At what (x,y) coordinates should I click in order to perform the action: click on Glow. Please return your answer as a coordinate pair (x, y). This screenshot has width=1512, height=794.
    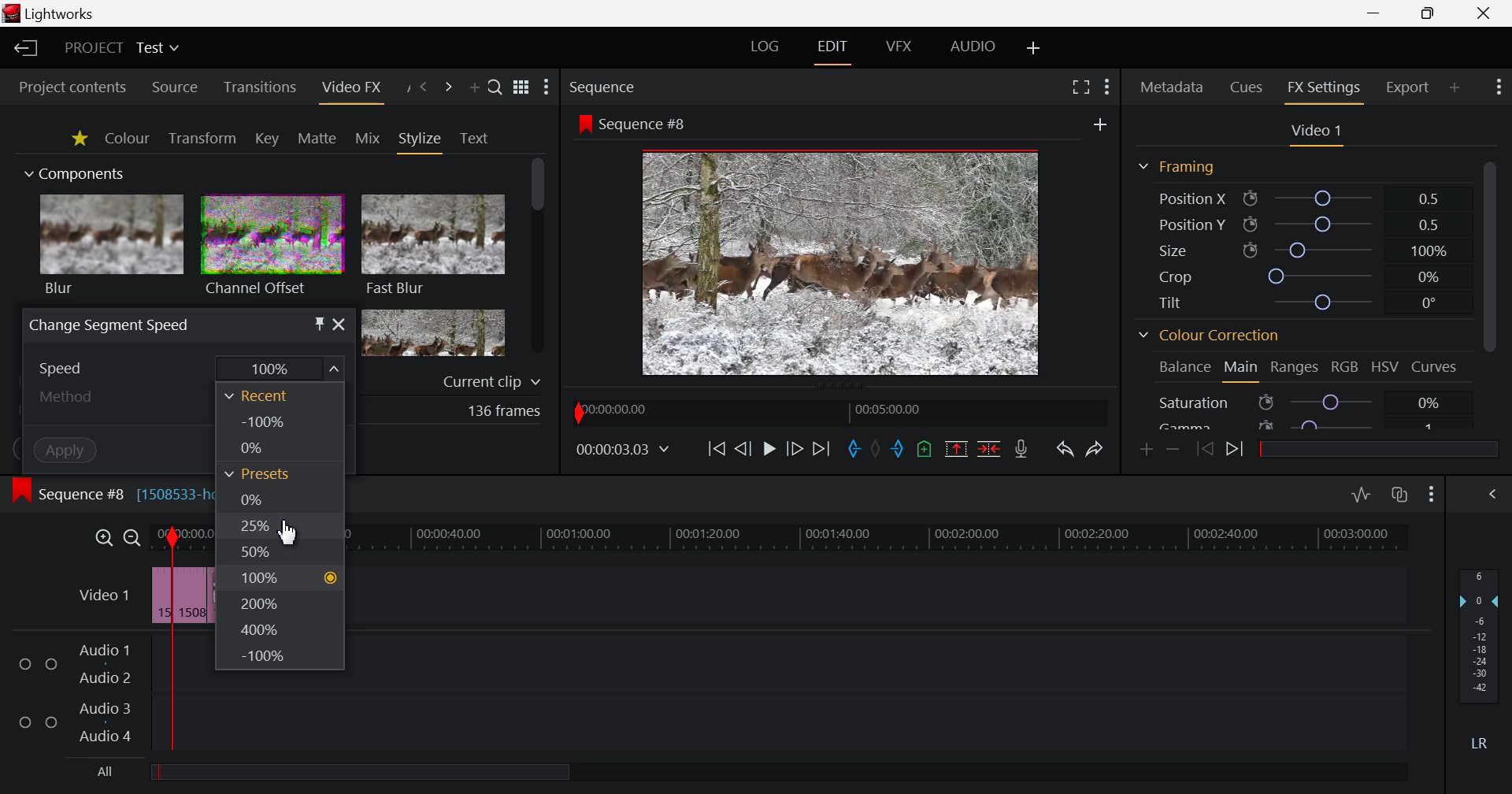
    Looking at the image, I should click on (113, 333).